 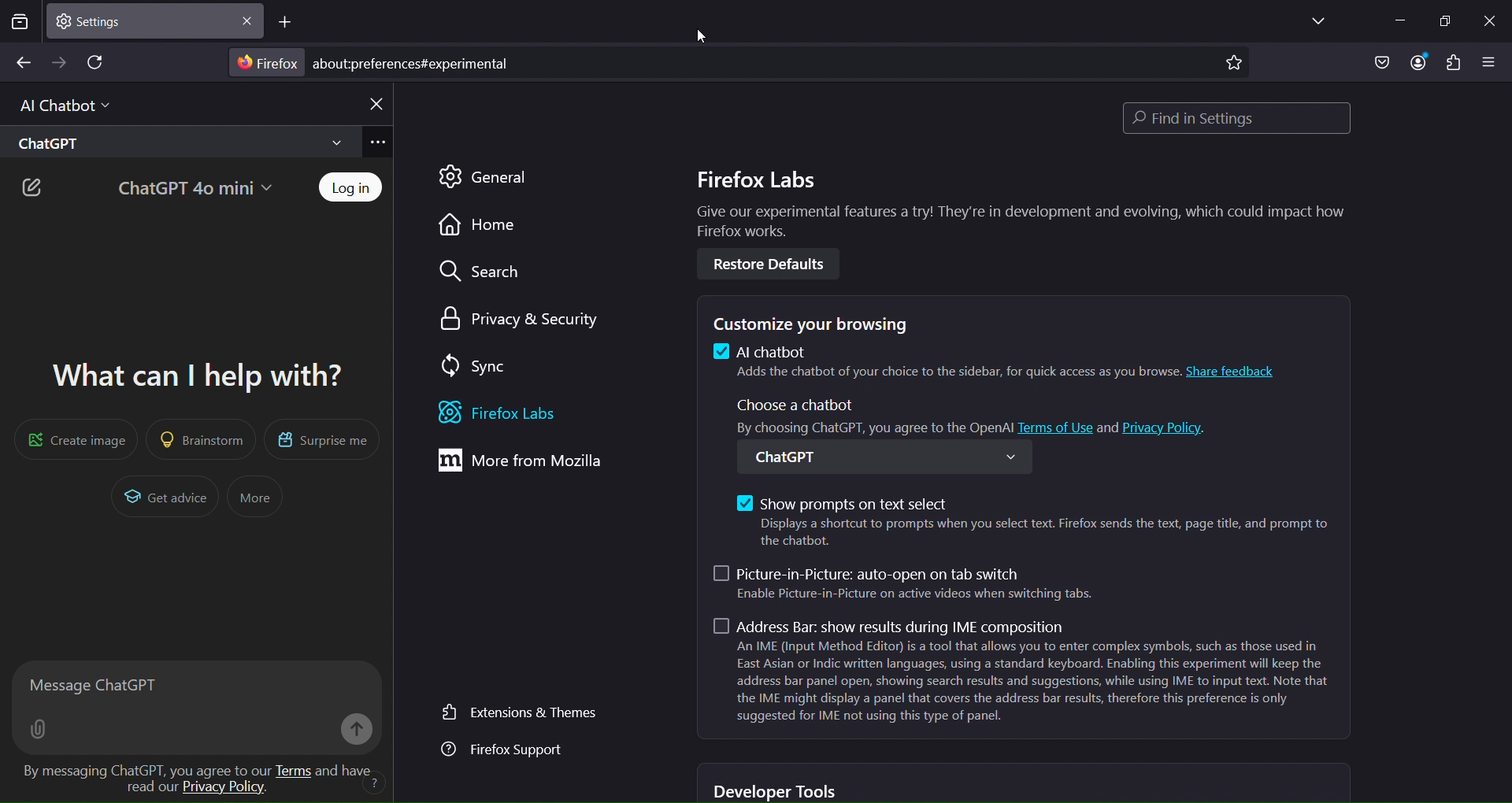 What do you see at coordinates (146, 786) in the screenshot?
I see `read our` at bounding box center [146, 786].